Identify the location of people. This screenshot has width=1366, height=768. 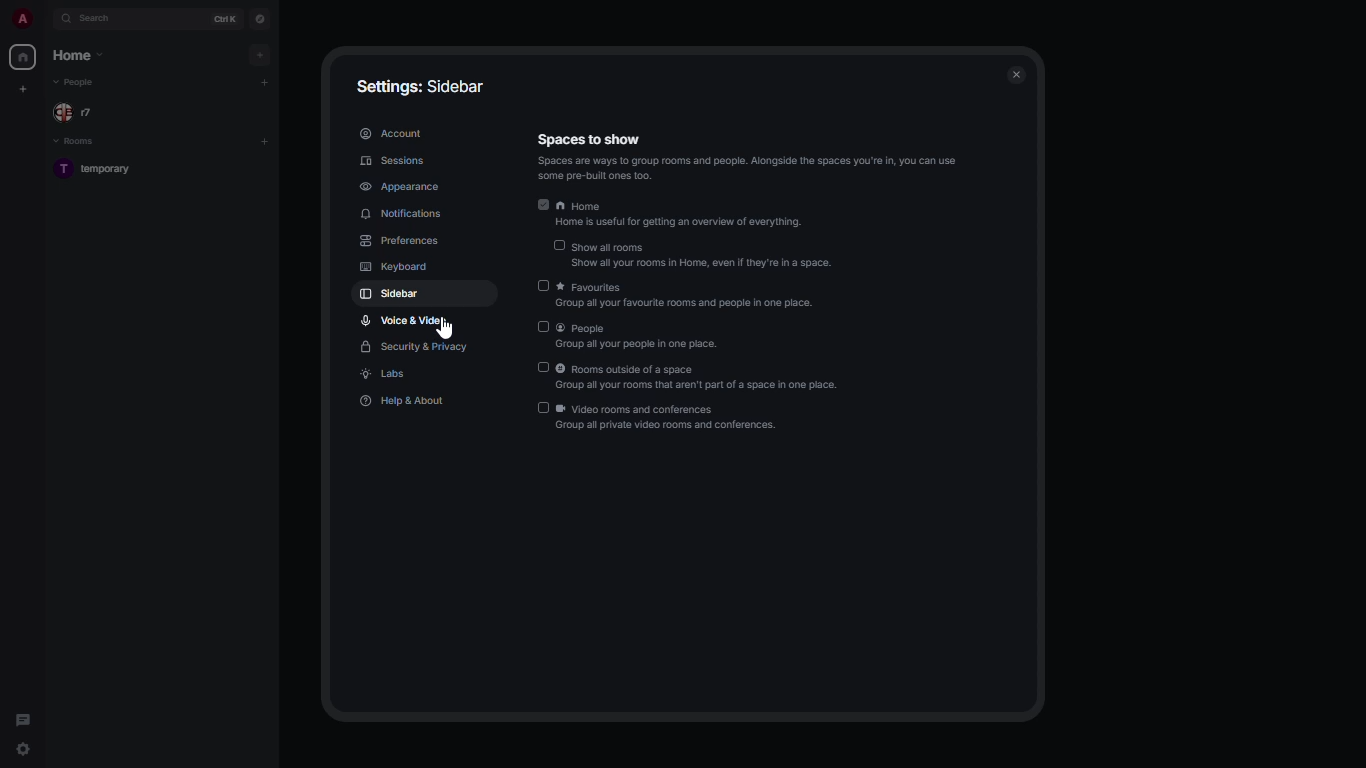
(83, 83).